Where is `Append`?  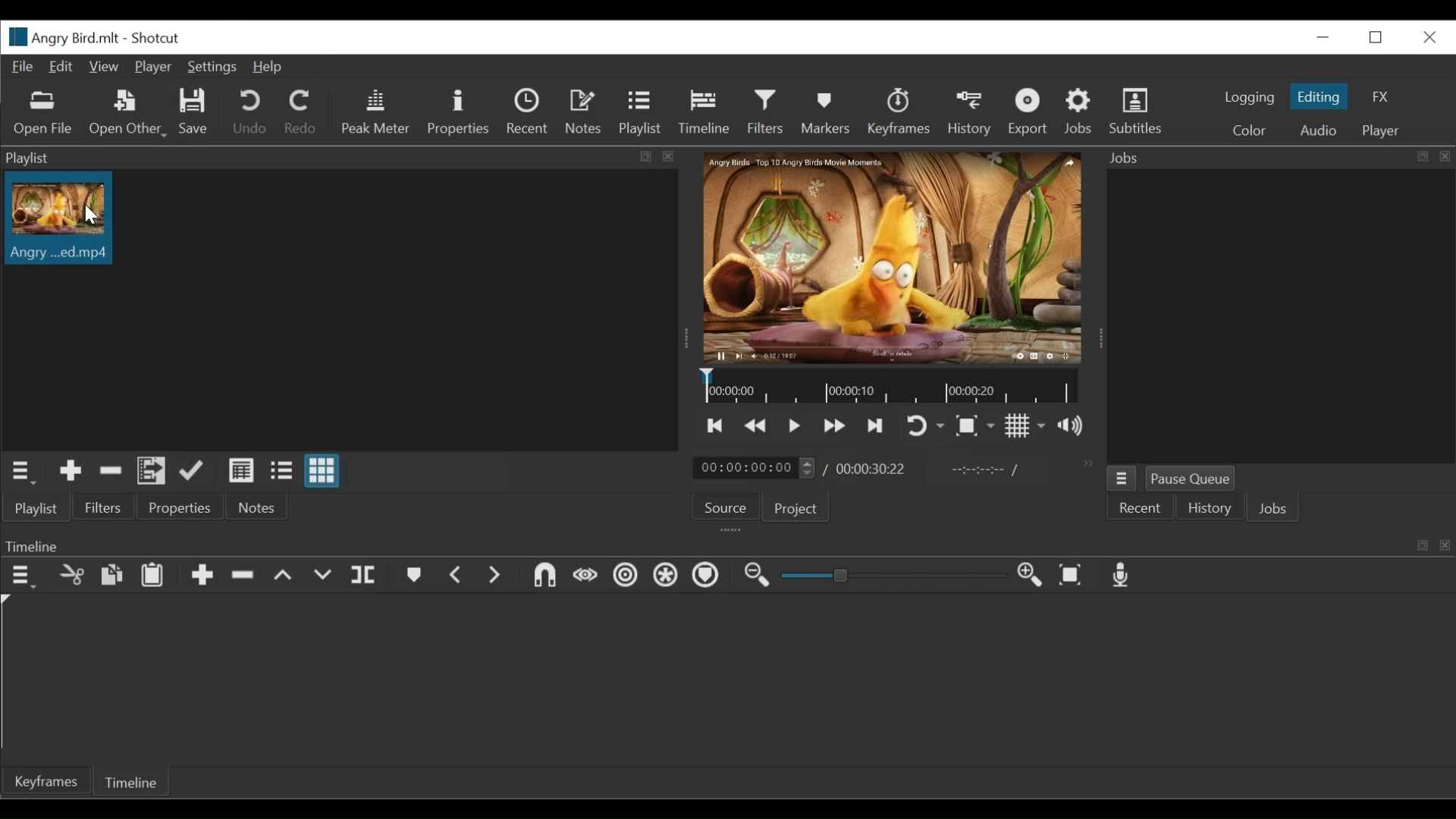 Append is located at coordinates (202, 575).